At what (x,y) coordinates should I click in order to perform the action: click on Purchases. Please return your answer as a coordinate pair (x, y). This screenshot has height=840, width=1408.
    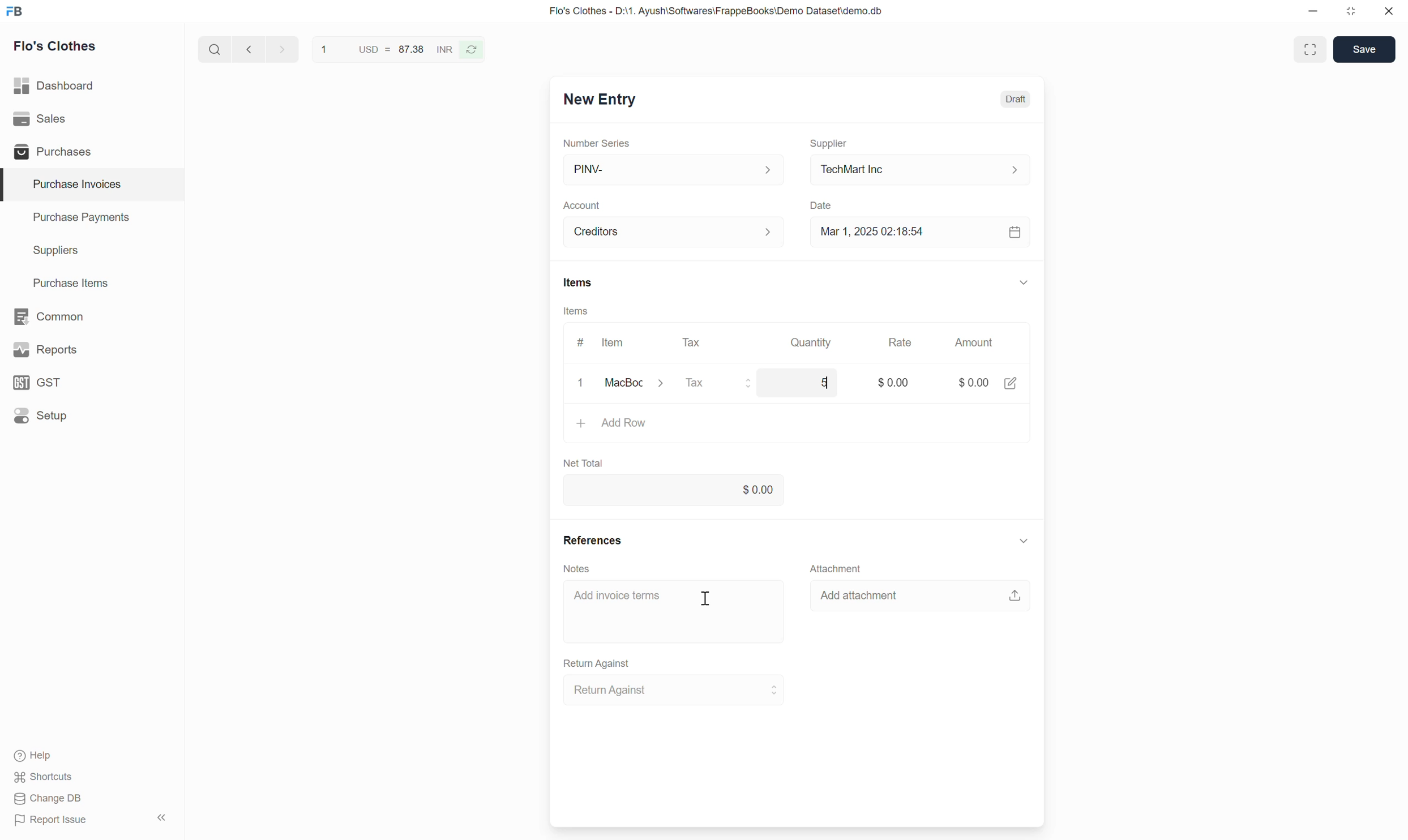
    Looking at the image, I should click on (91, 151).